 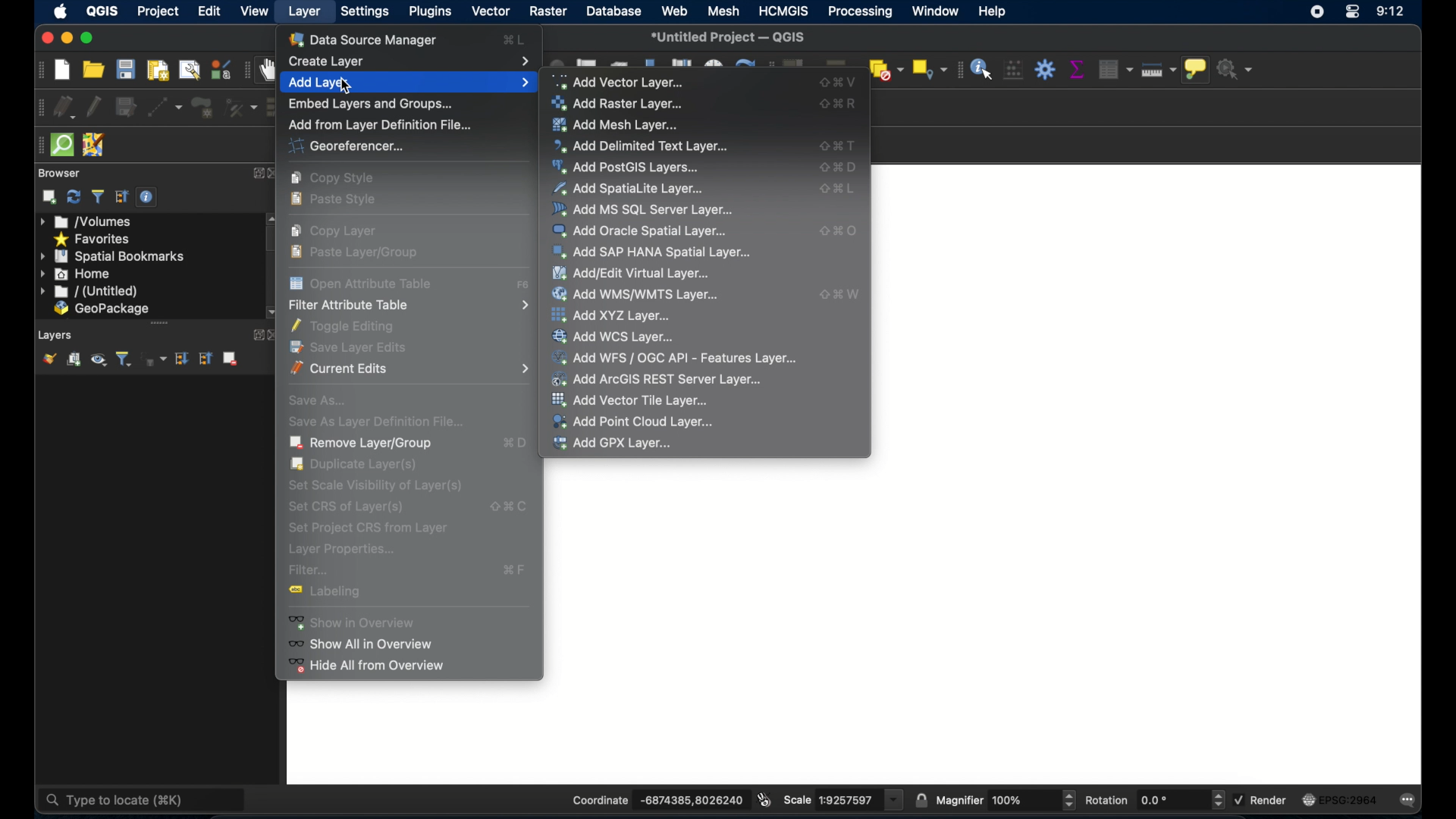 I want to click on geopackage, so click(x=102, y=309).